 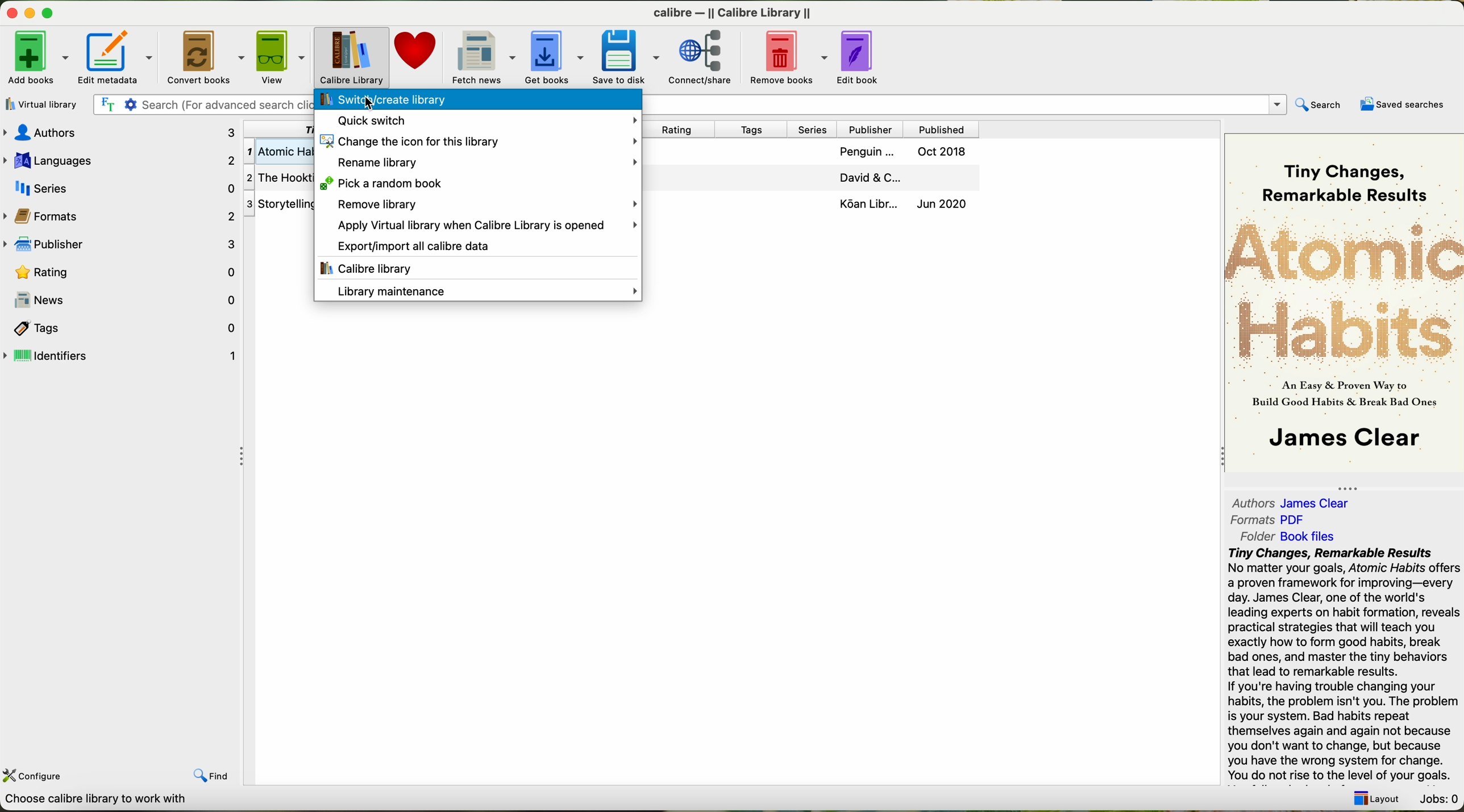 What do you see at coordinates (1218, 458) in the screenshot?
I see `collapse` at bounding box center [1218, 458].